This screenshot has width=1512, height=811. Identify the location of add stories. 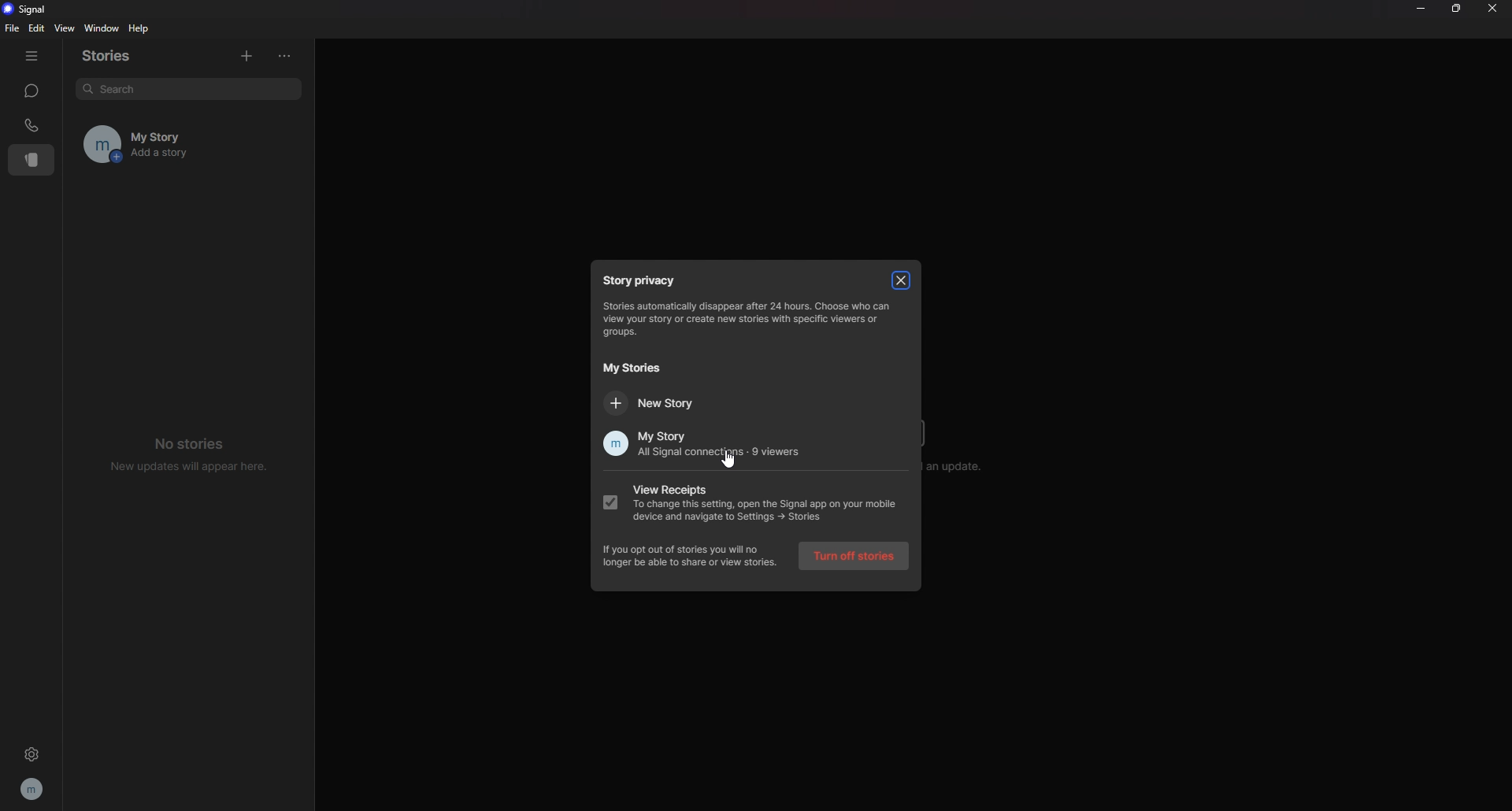
(246, 54).